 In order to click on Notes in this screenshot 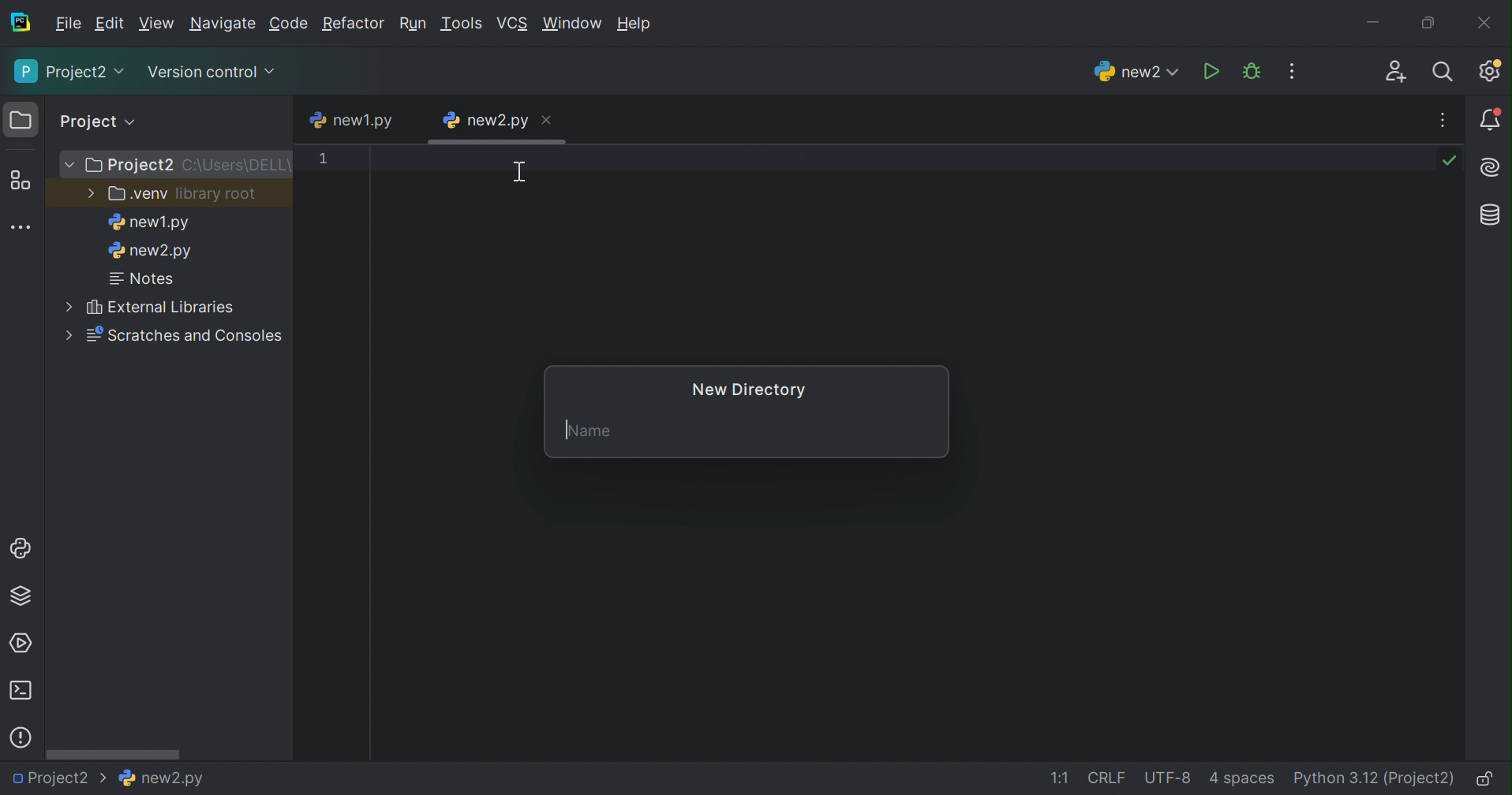, I will do `click(144, 279)`.